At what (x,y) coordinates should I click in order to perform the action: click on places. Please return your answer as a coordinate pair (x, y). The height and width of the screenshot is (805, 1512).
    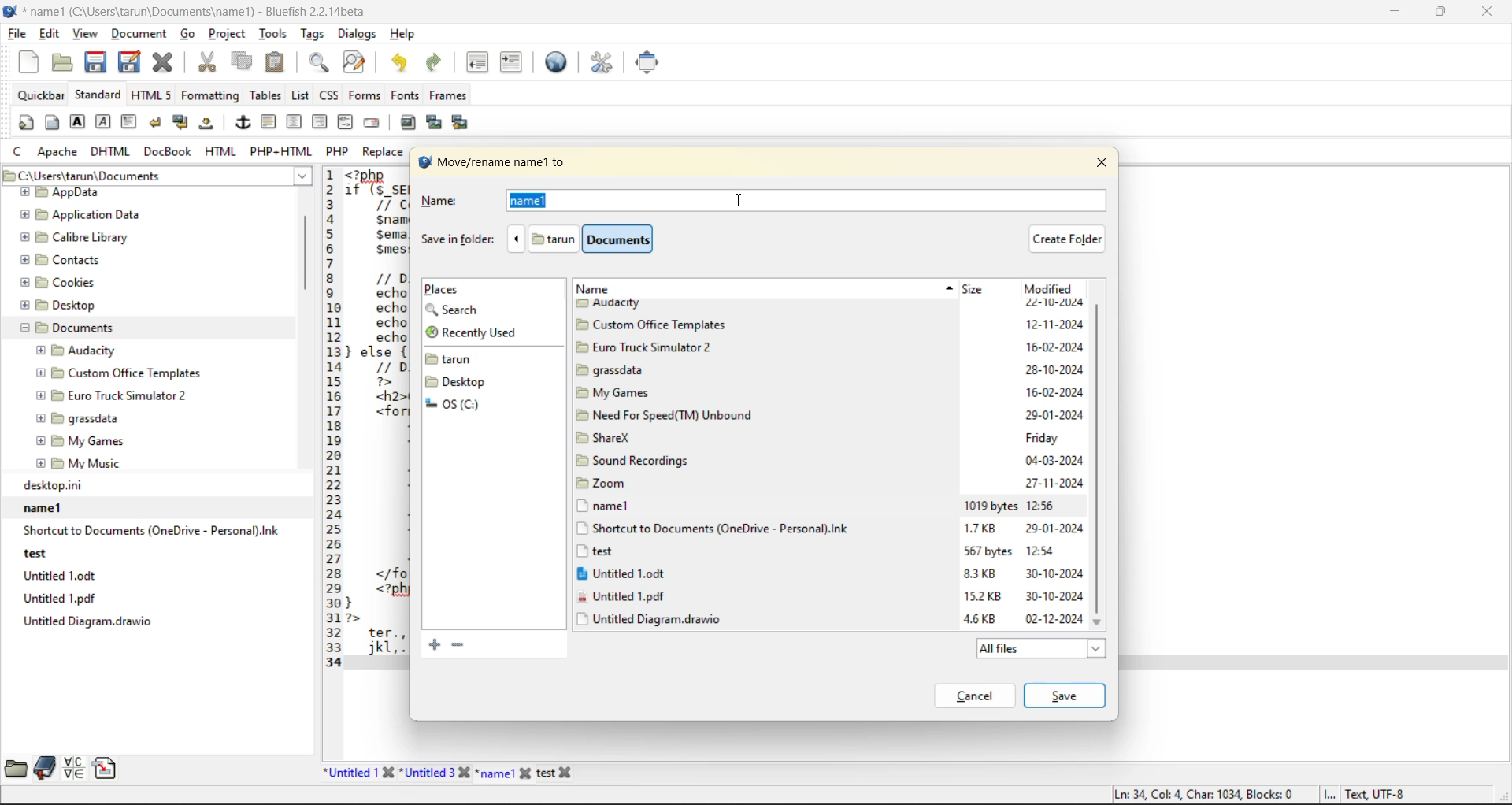
    Looking at the image, I should click on (452, 290).